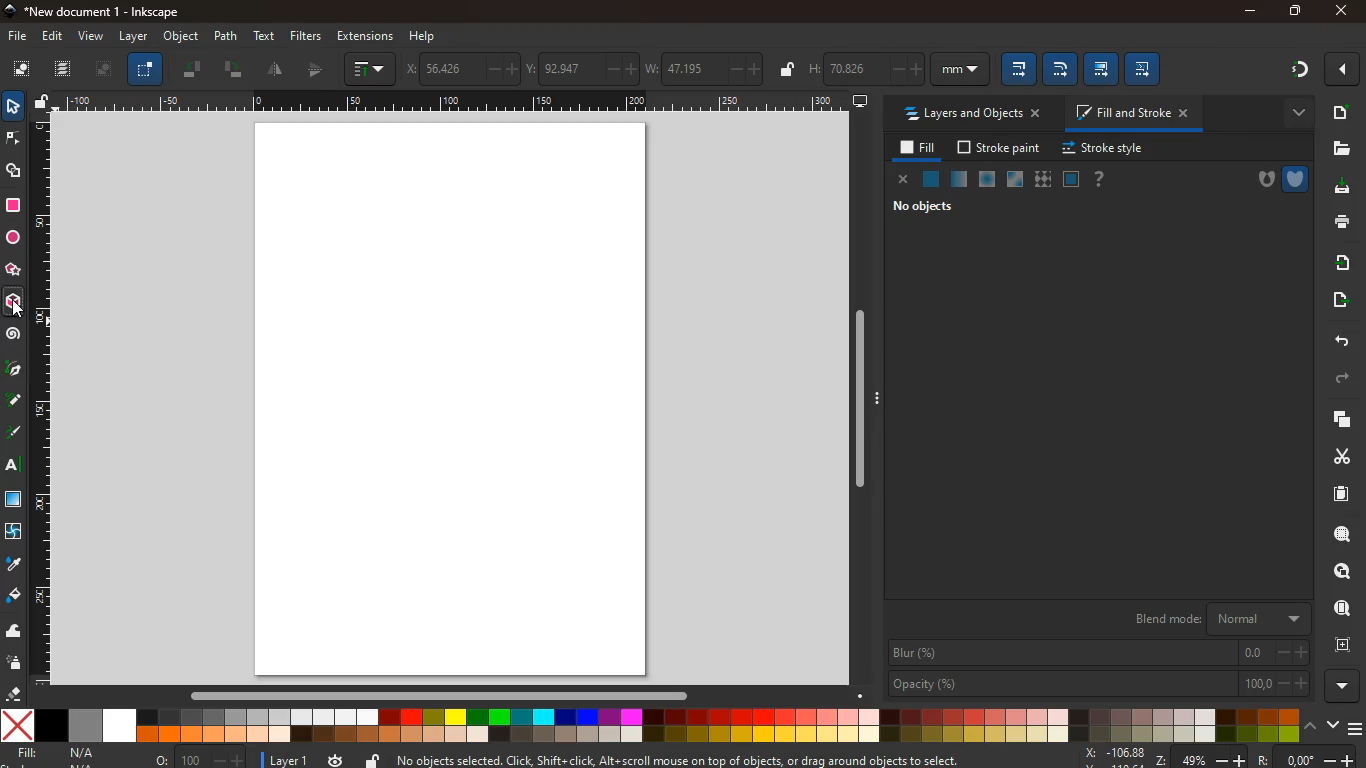 The height and width of the screenshot is (768, 1366). Describe the element at coordinates (15, 305) in the screenshot. I see `3d tool` at that location.